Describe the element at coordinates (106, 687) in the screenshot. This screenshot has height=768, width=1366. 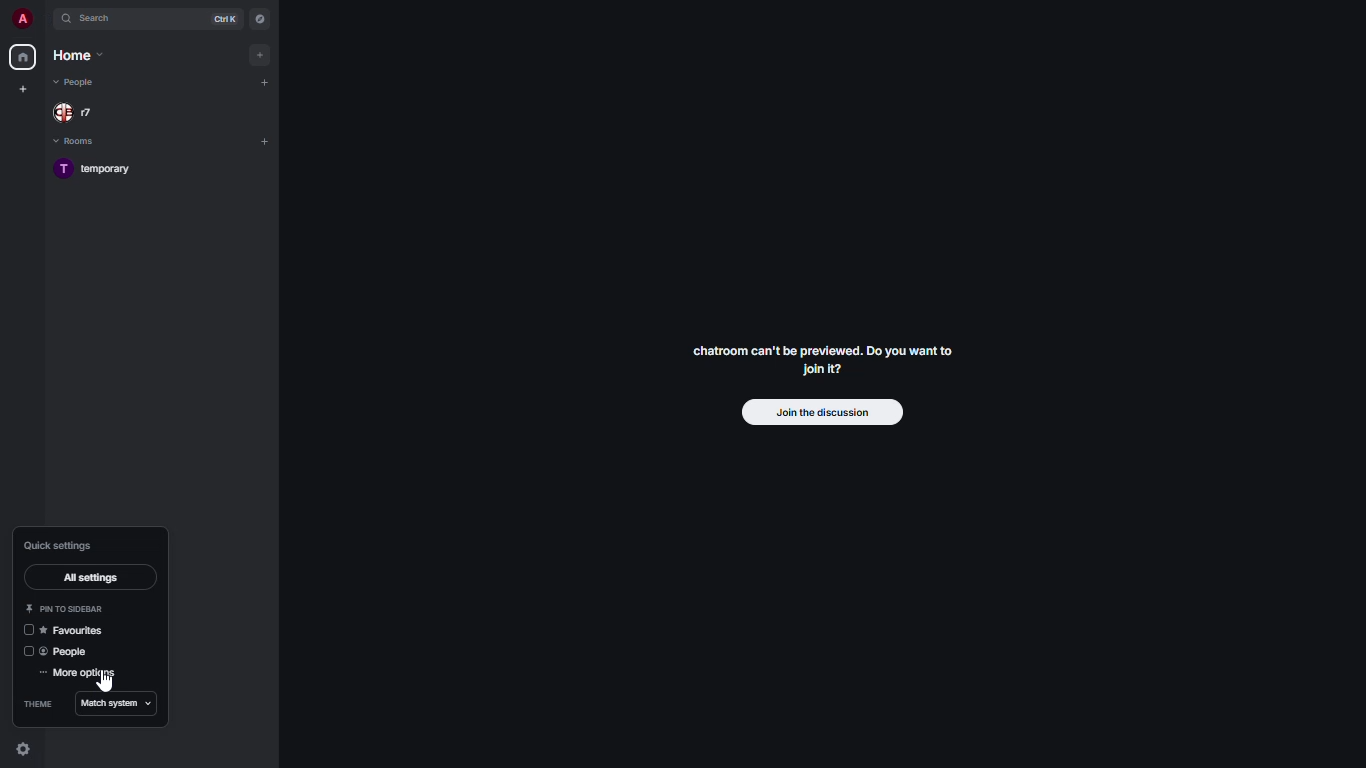
I see `cursor` at that location.